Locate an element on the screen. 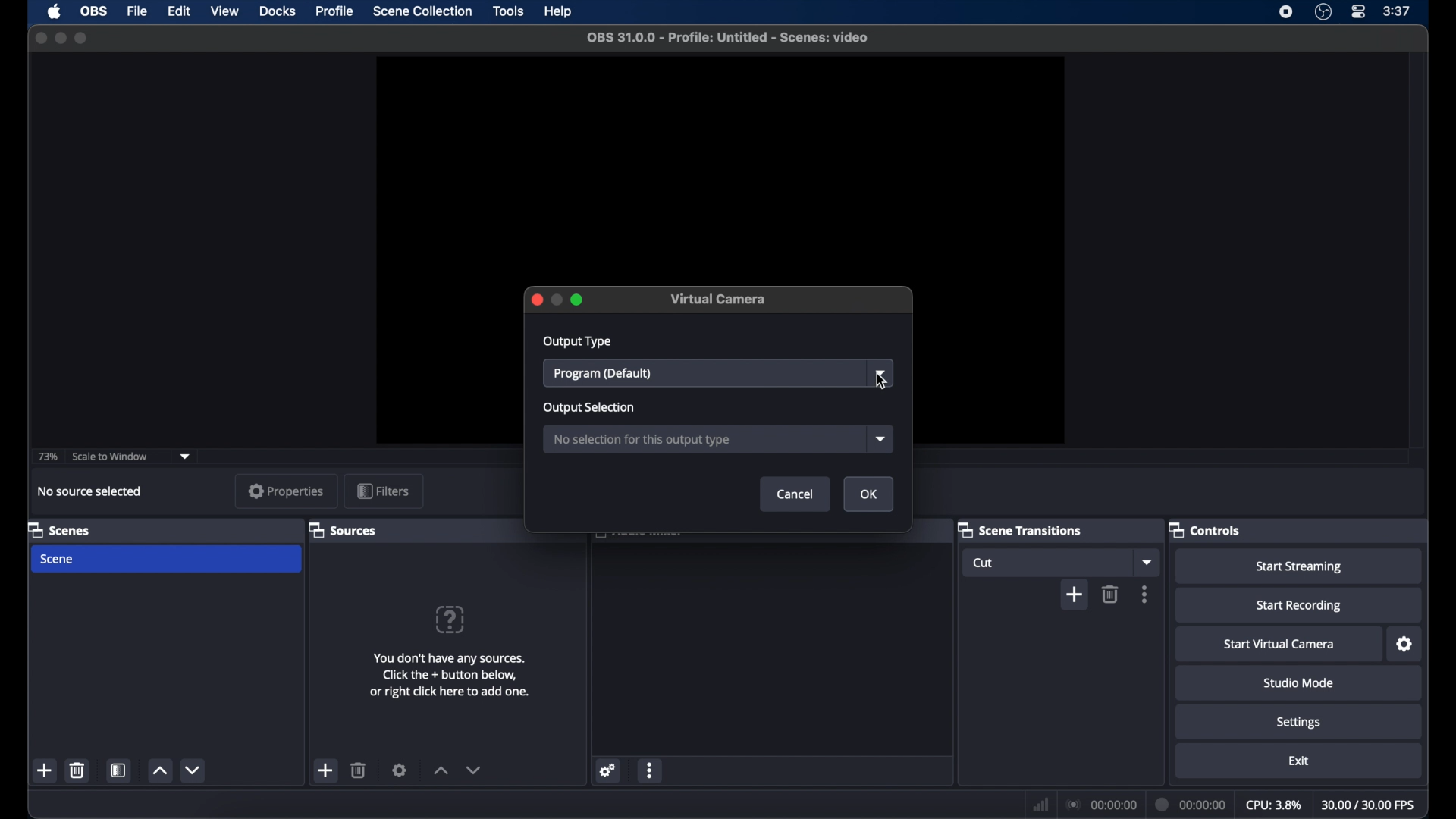  more options is located at coordinates (1145, 595).